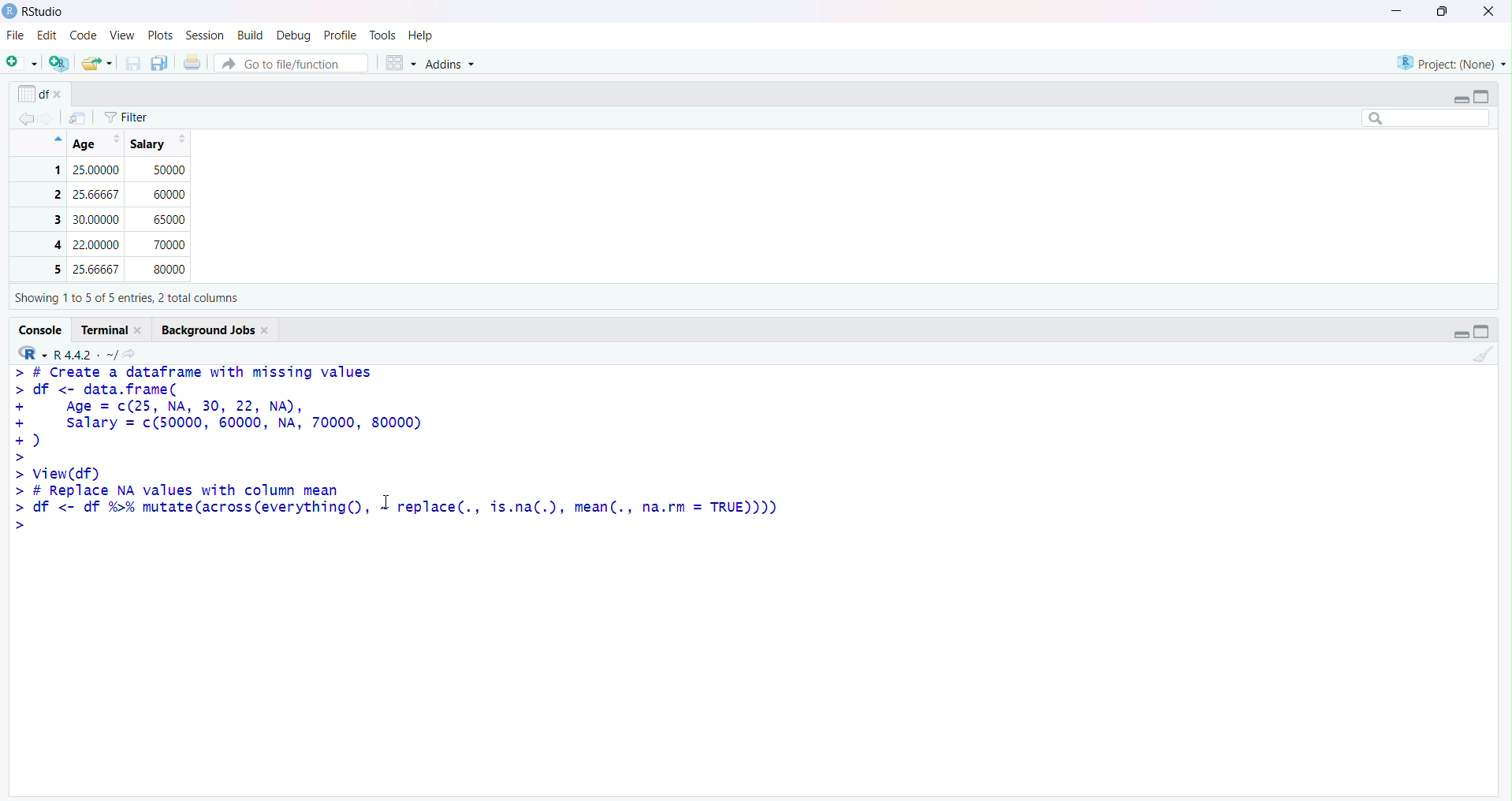  I want to click on Text cursor, so click(394, 498).